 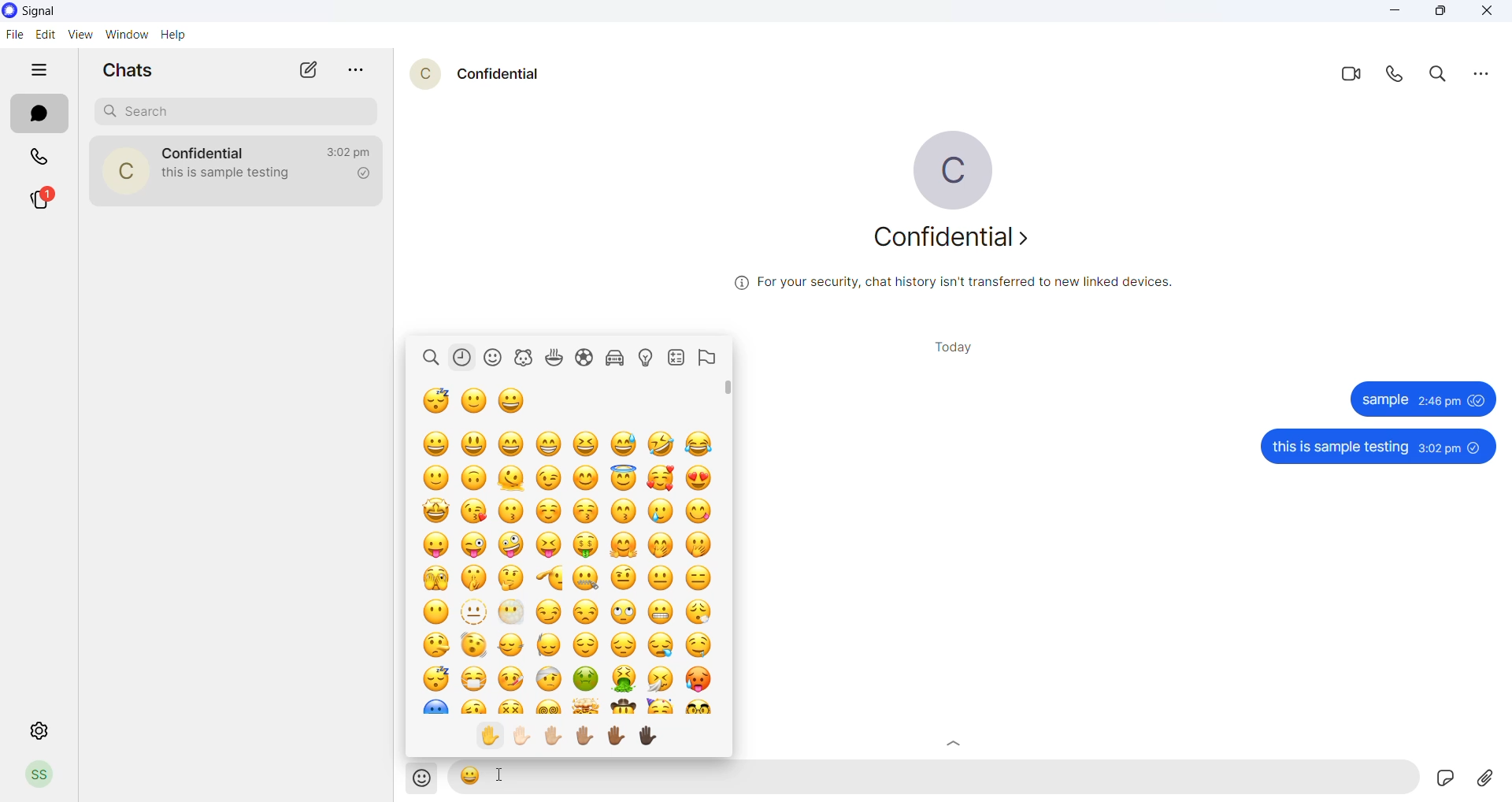 What do you see at coordinates (1477, 400) in the screenshot?
I see `seen` at bounding box center [1477, 400].